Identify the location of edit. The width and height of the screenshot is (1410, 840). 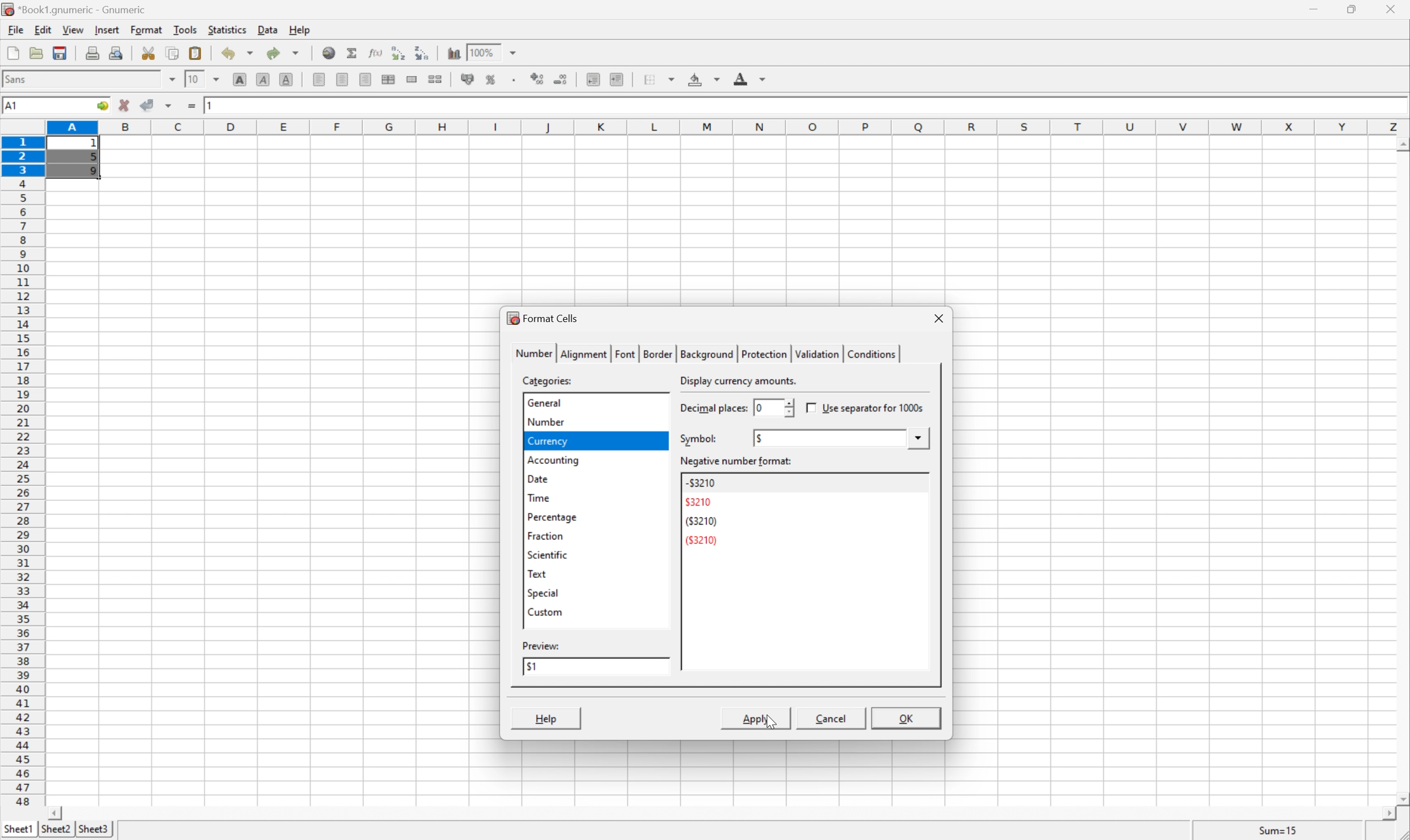
(44, 28).